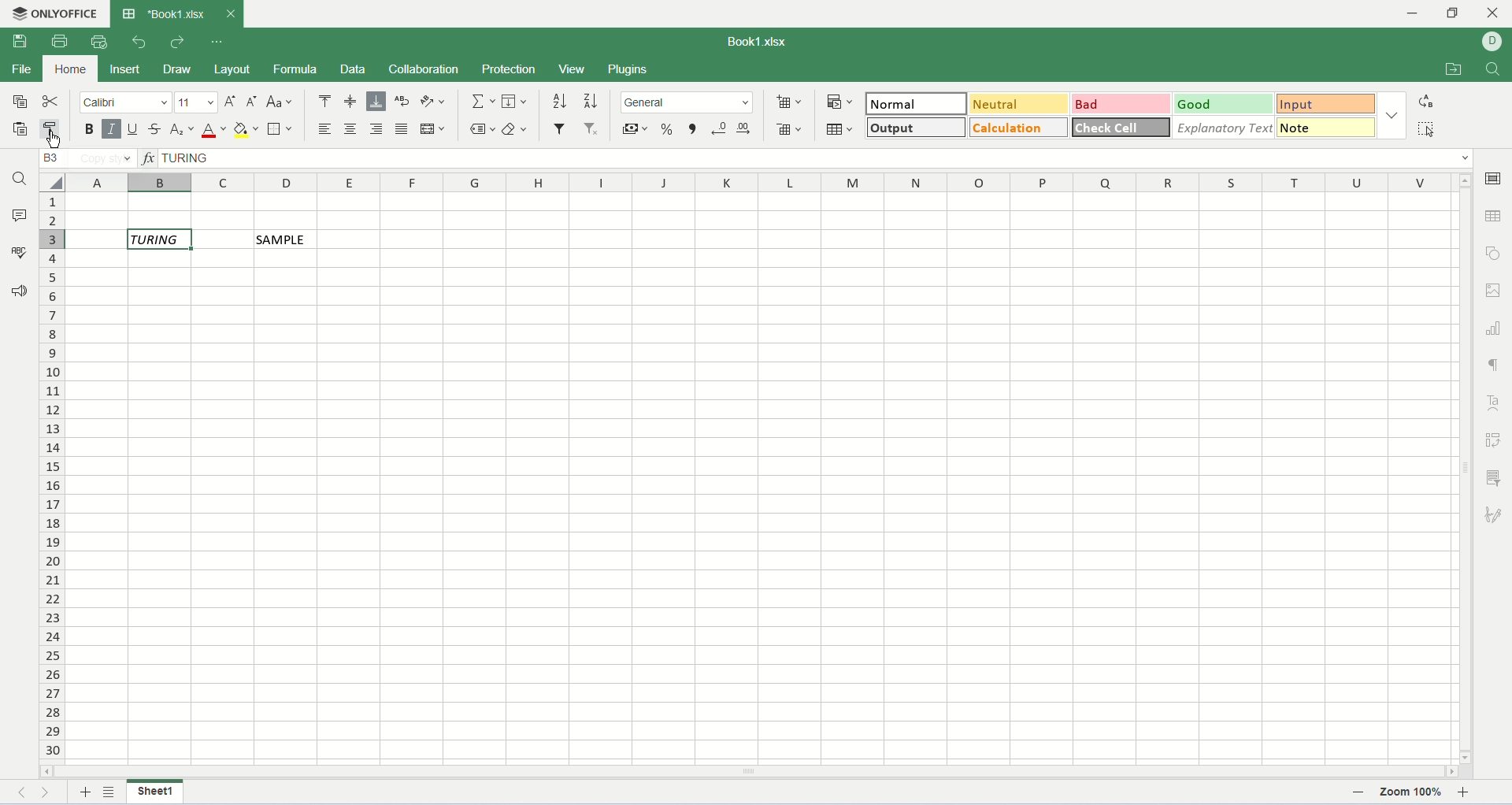 This screenshot has height=805, width=1512. Describe the element at coordinates (21, 69) in the screenshot. I see `file` at that location.